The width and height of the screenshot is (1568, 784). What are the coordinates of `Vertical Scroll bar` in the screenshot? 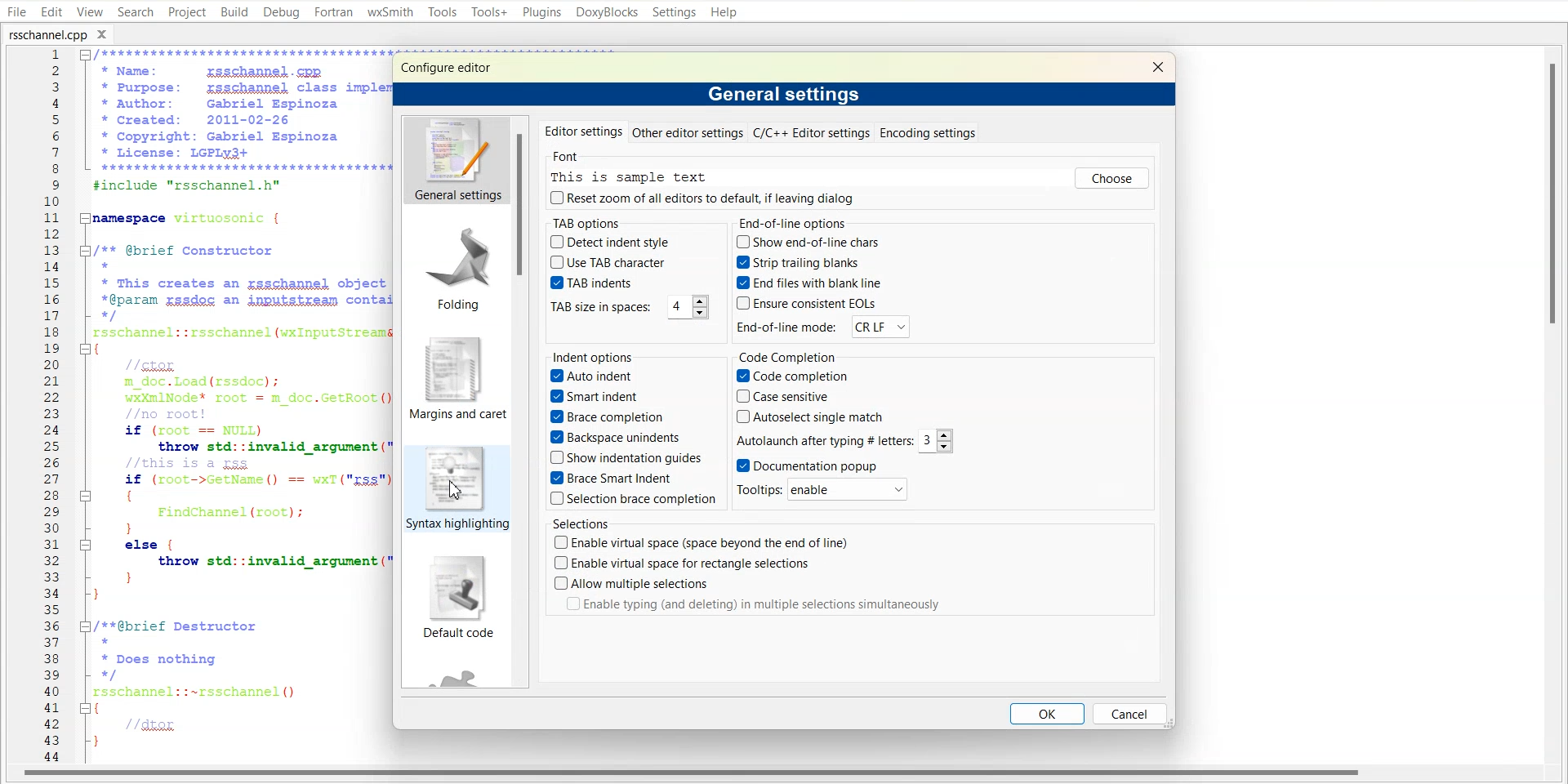 It's located at (1558, 405).